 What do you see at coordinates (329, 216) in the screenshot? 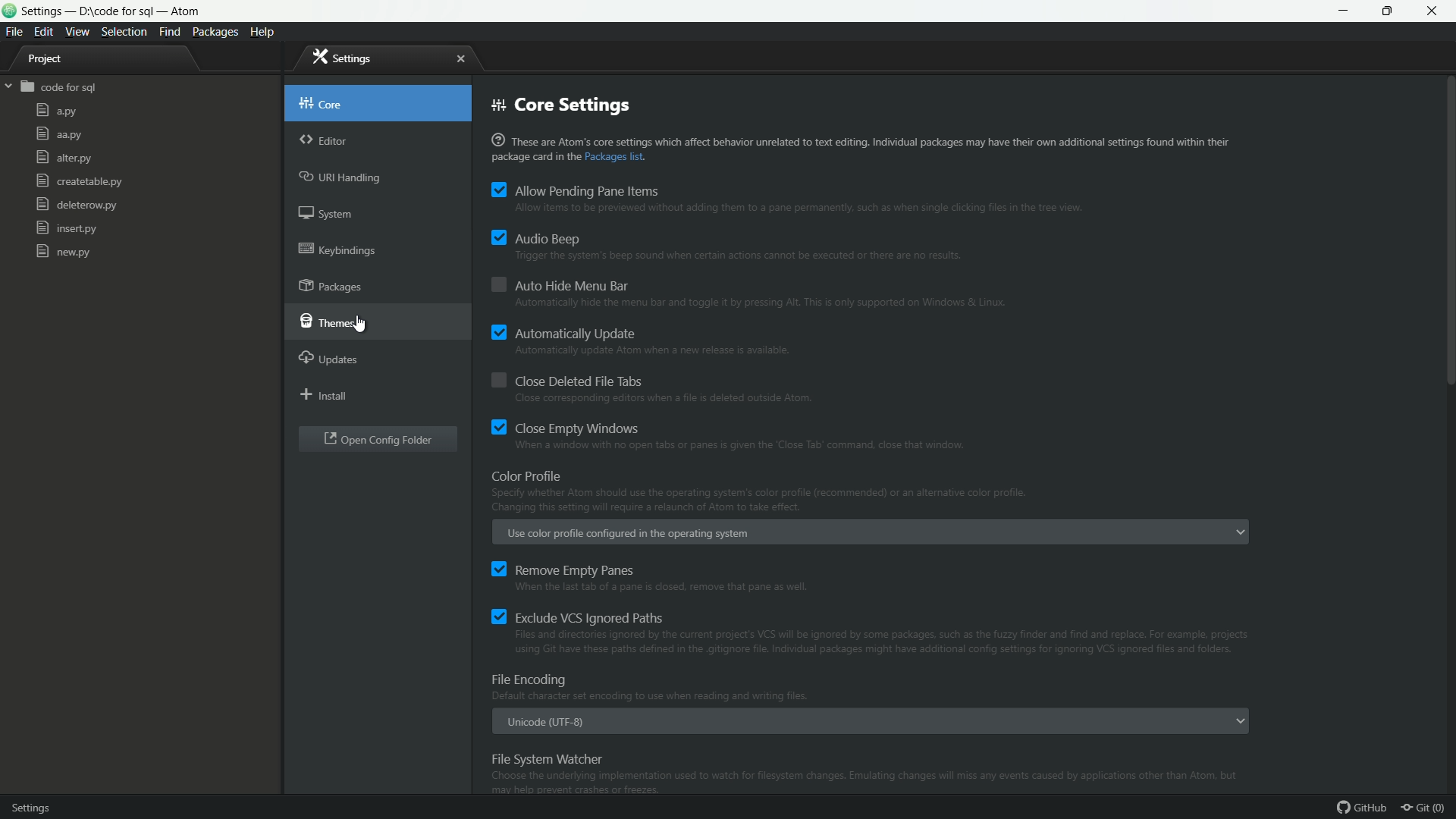
I see `system` at bounding box center [329, 216].